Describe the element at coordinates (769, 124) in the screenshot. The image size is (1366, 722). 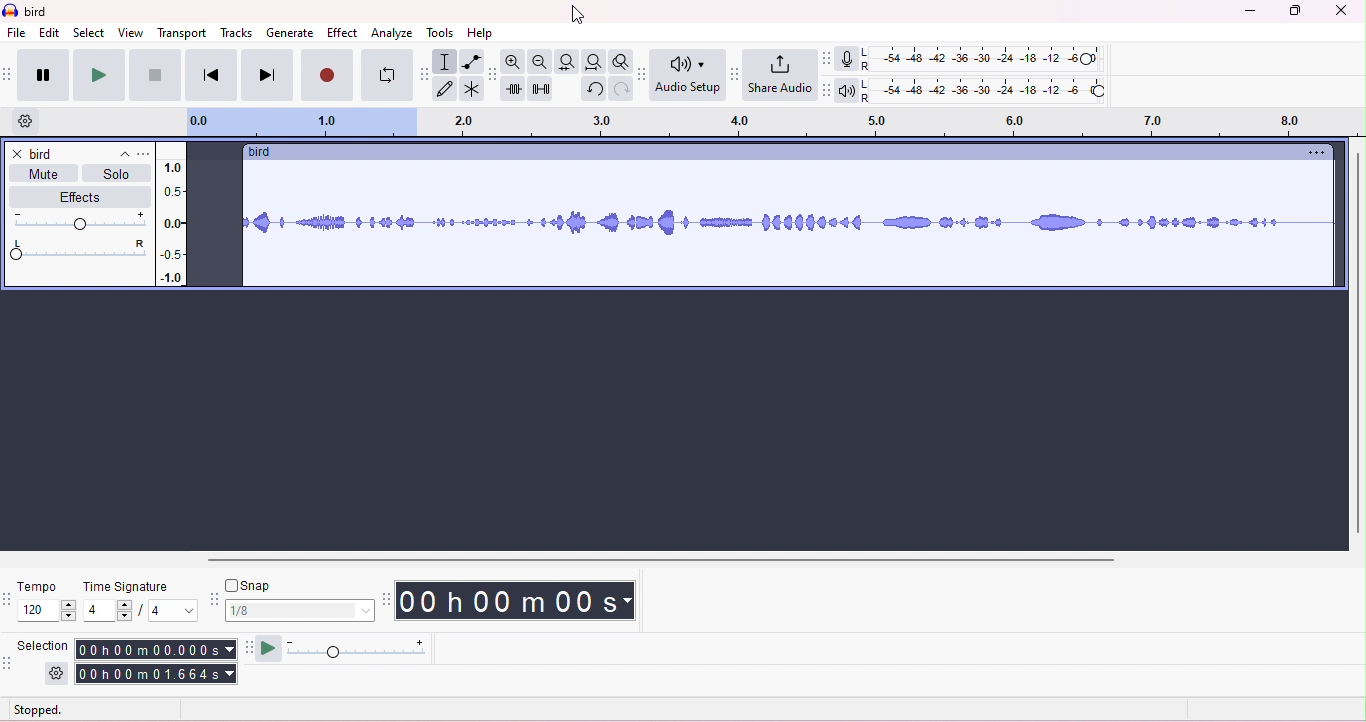
I see `timeline` at that location.